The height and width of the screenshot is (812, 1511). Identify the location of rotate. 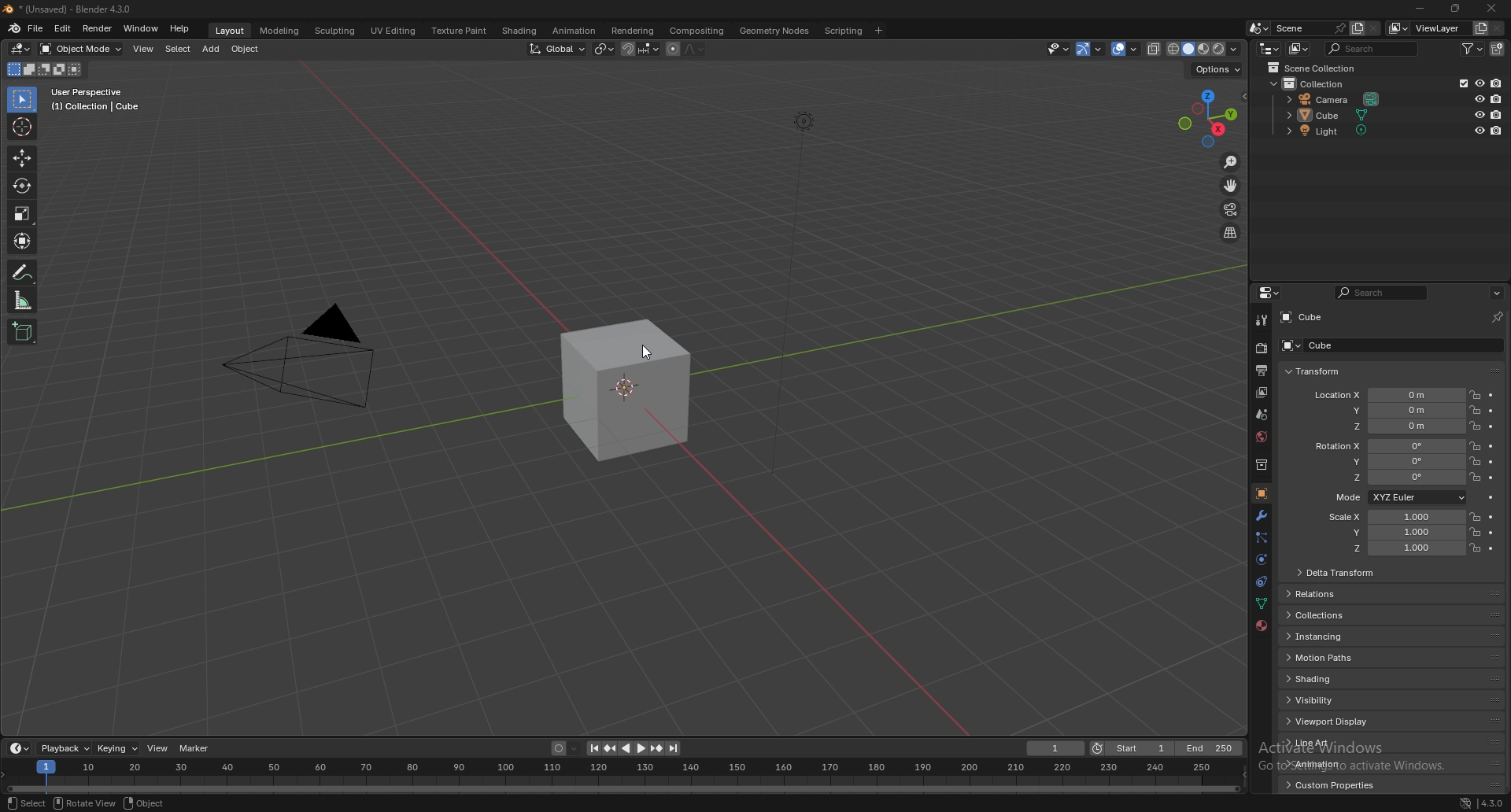
(22, 186).